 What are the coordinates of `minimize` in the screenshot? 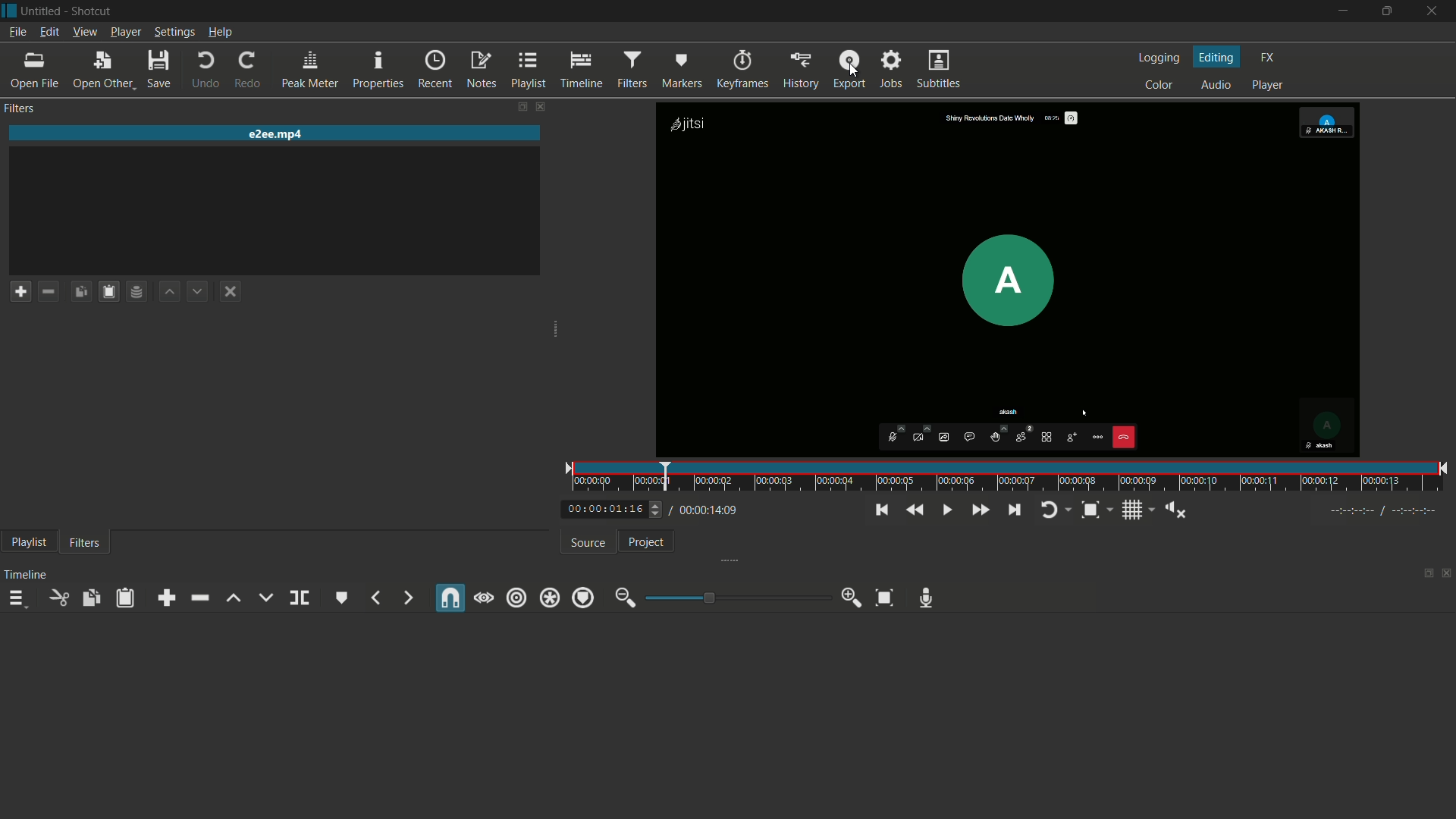 It's located at (1340, 11).